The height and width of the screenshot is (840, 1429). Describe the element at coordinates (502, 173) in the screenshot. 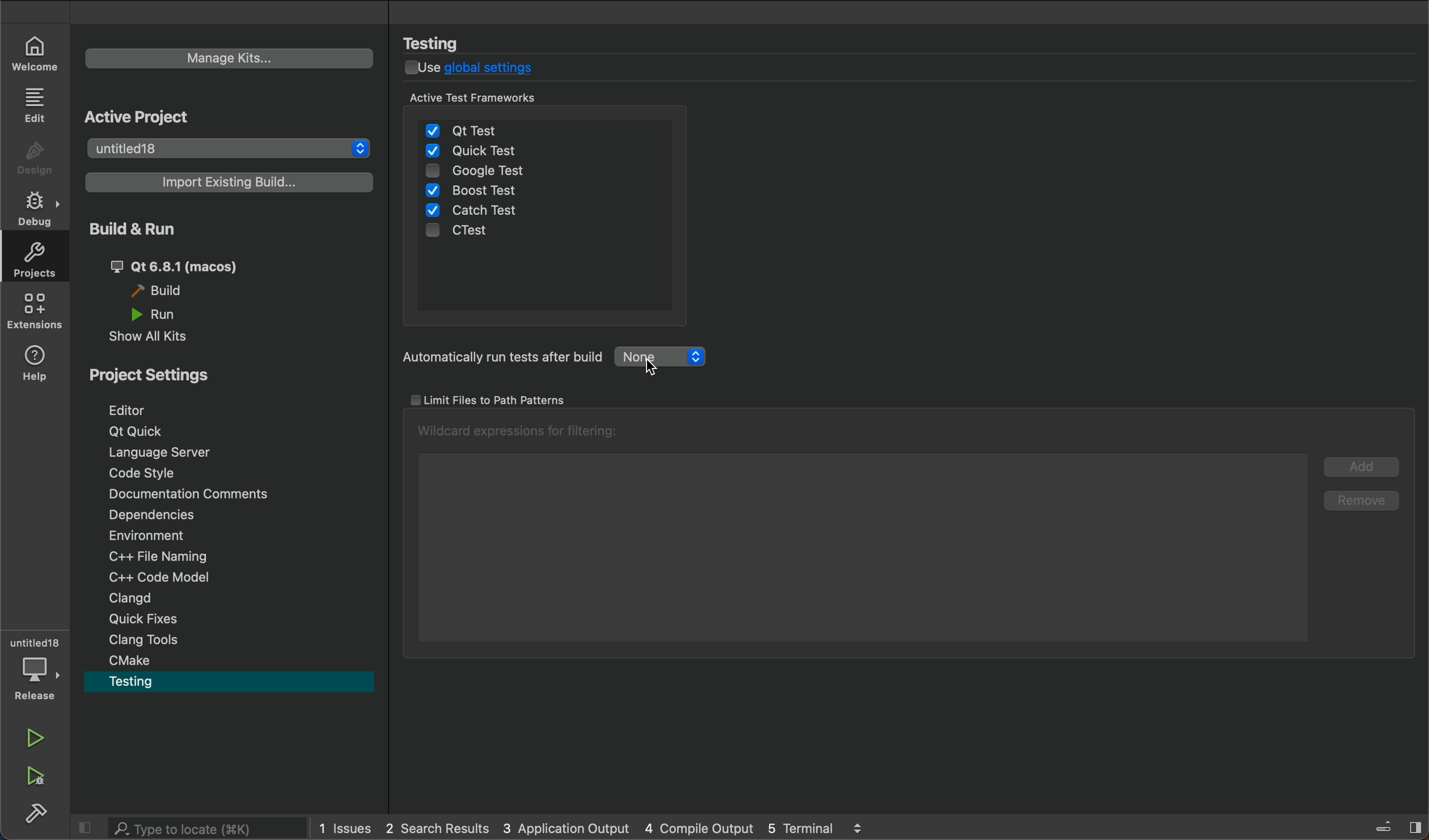

I see `google test` at that location.